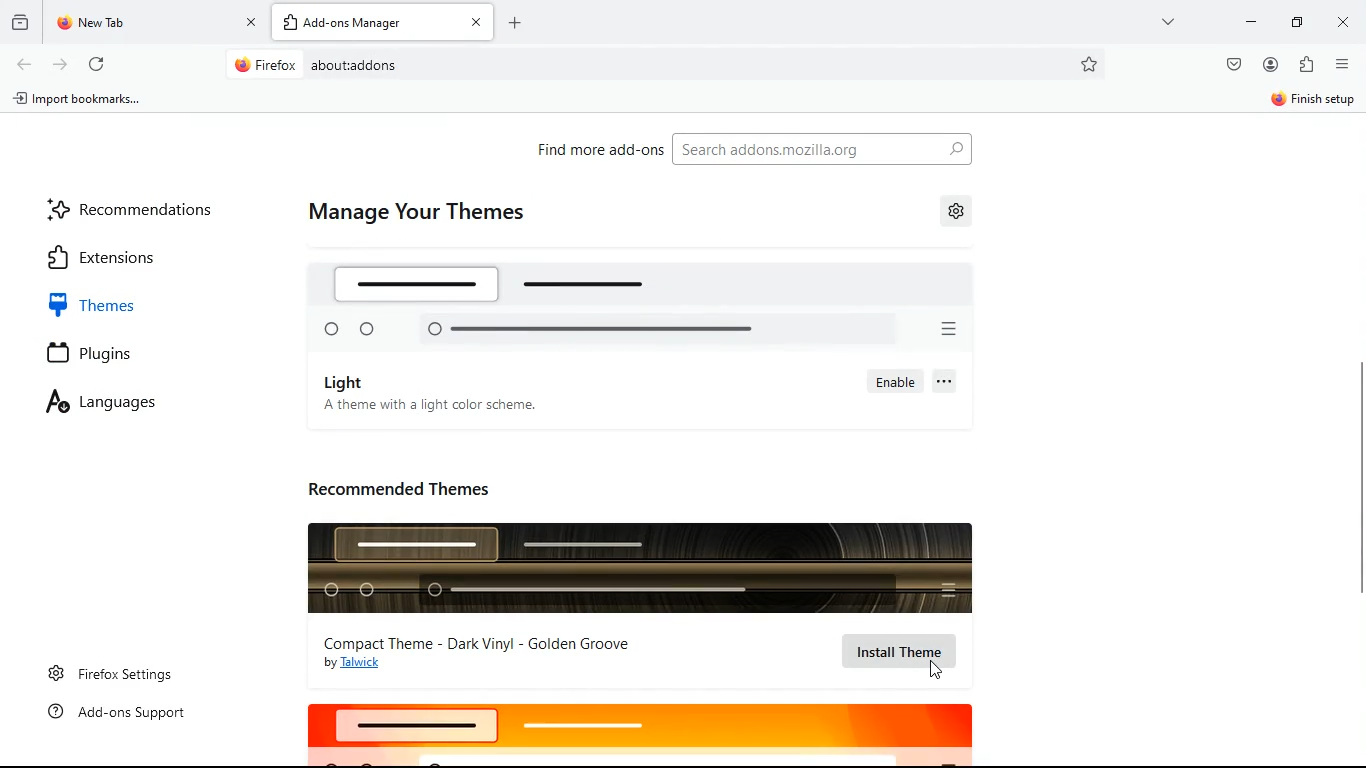 The width and height of the screenshot is (1366, 768). Describe the element at coordinates (1312, 100) in the screenshot. I see `Finish setup` at that location.